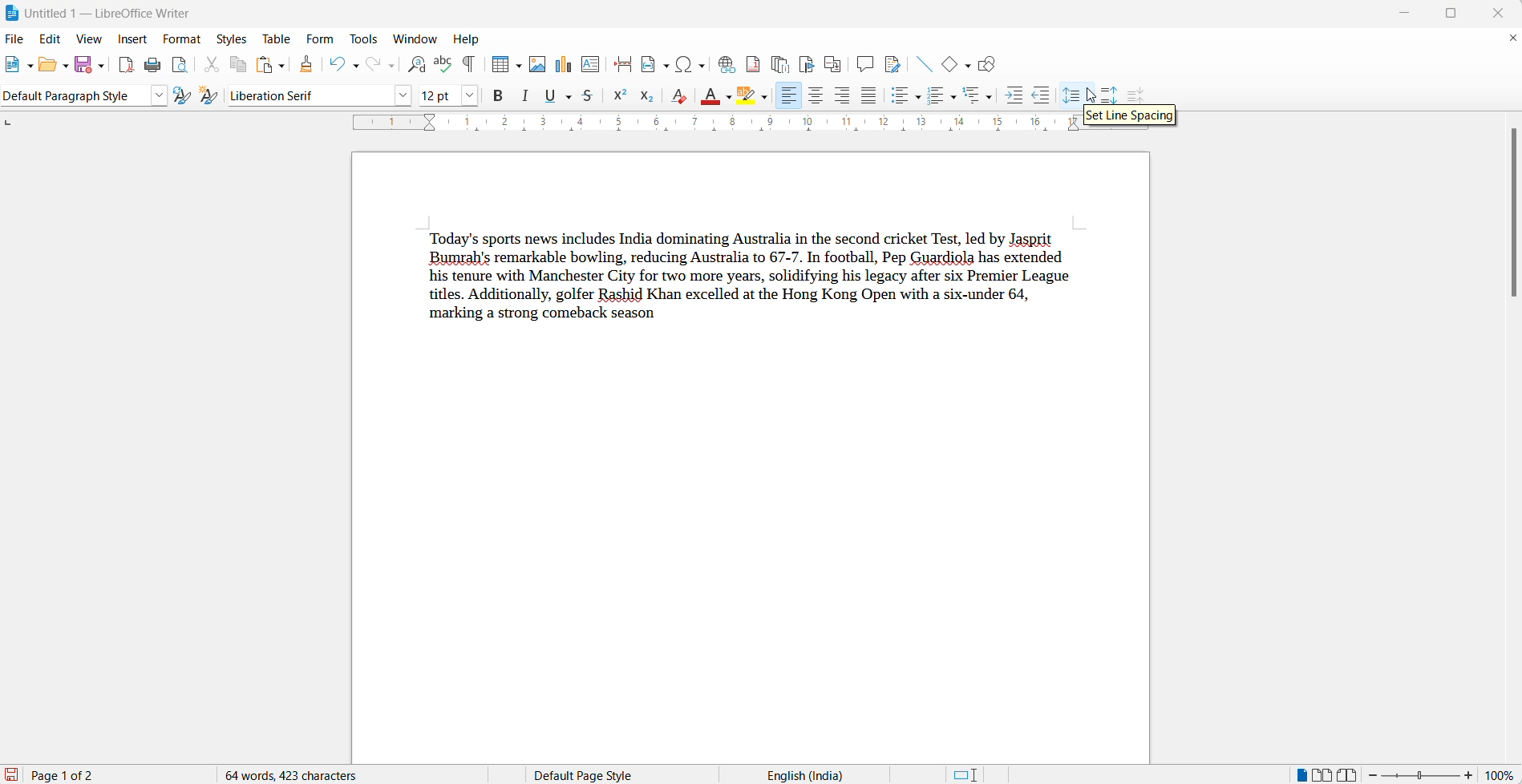 Image resolution: width=1522 pixels, height=784 pixels. What do you see at coordinates (1469, 774) in the screenshot?
I see `increase zoom` at bounding box center [1469, 774].